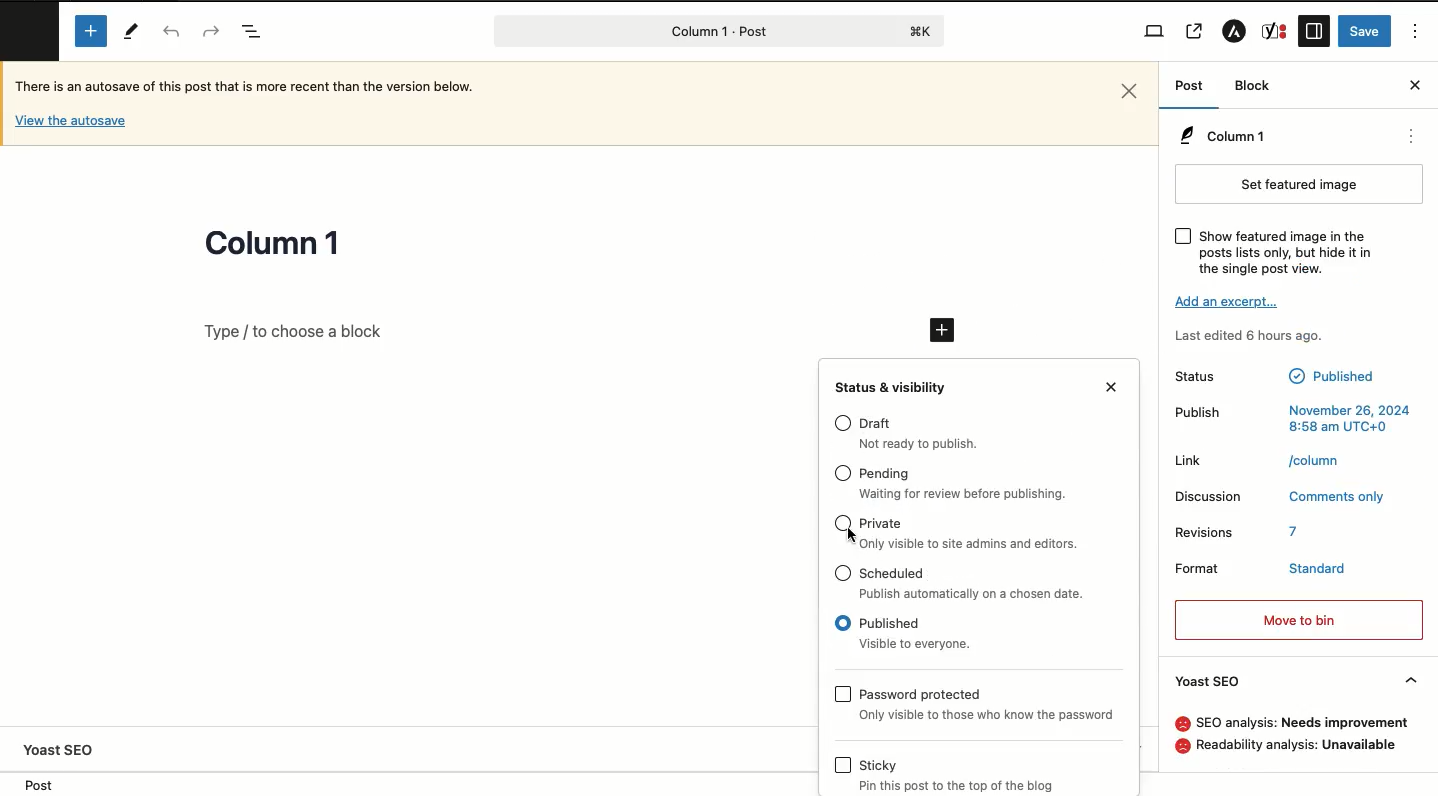 The width and height of the screenshot is (1438, 796). I want to click on Sidebar, so click(1313, 32).